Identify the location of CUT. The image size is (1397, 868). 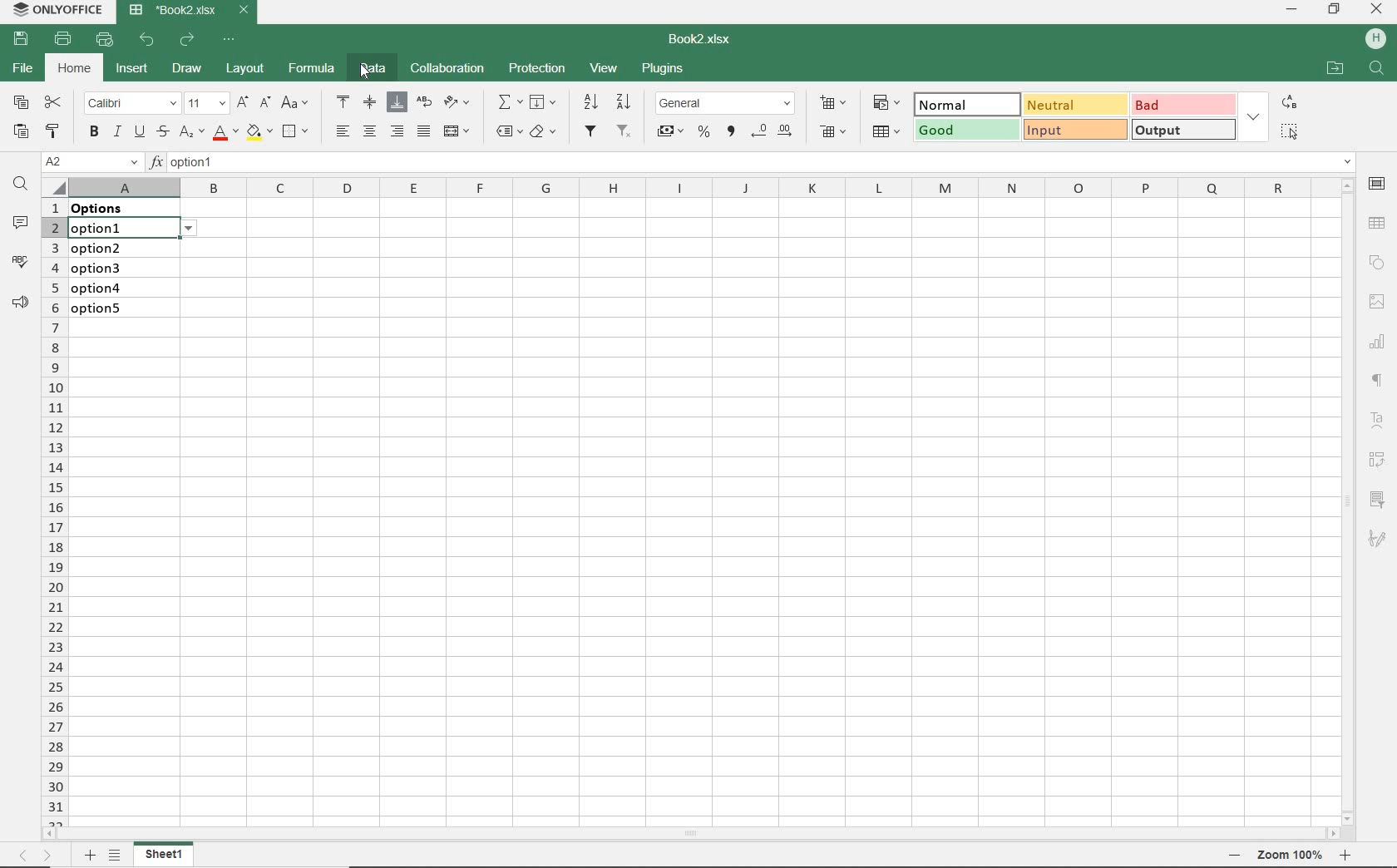
(52, 101).